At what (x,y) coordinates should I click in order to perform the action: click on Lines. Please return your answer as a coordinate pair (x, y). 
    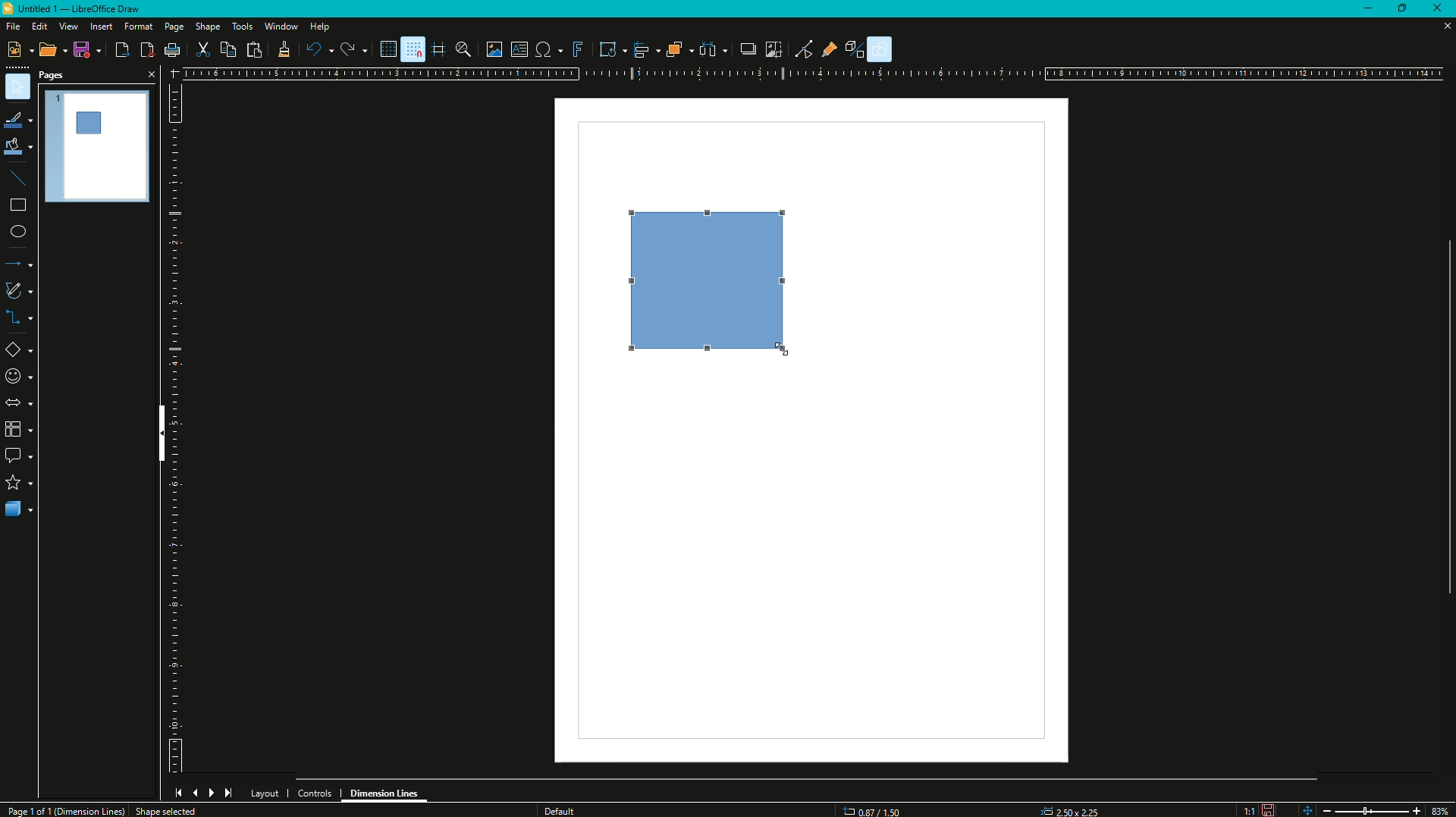
    Looking at the image, I should click on (19, 178).